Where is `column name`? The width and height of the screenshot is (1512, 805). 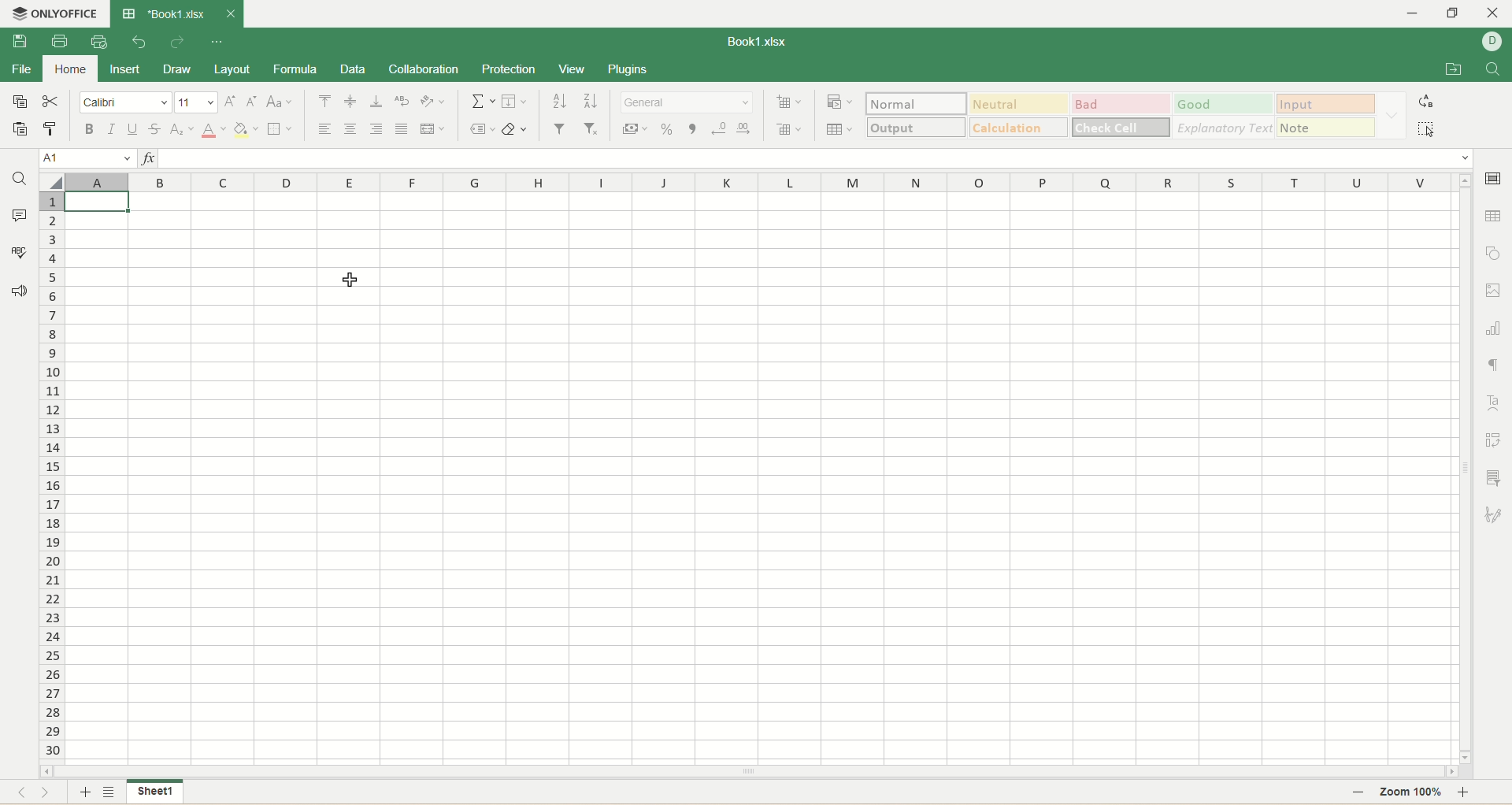 column name is located at coordinates (759, 182).